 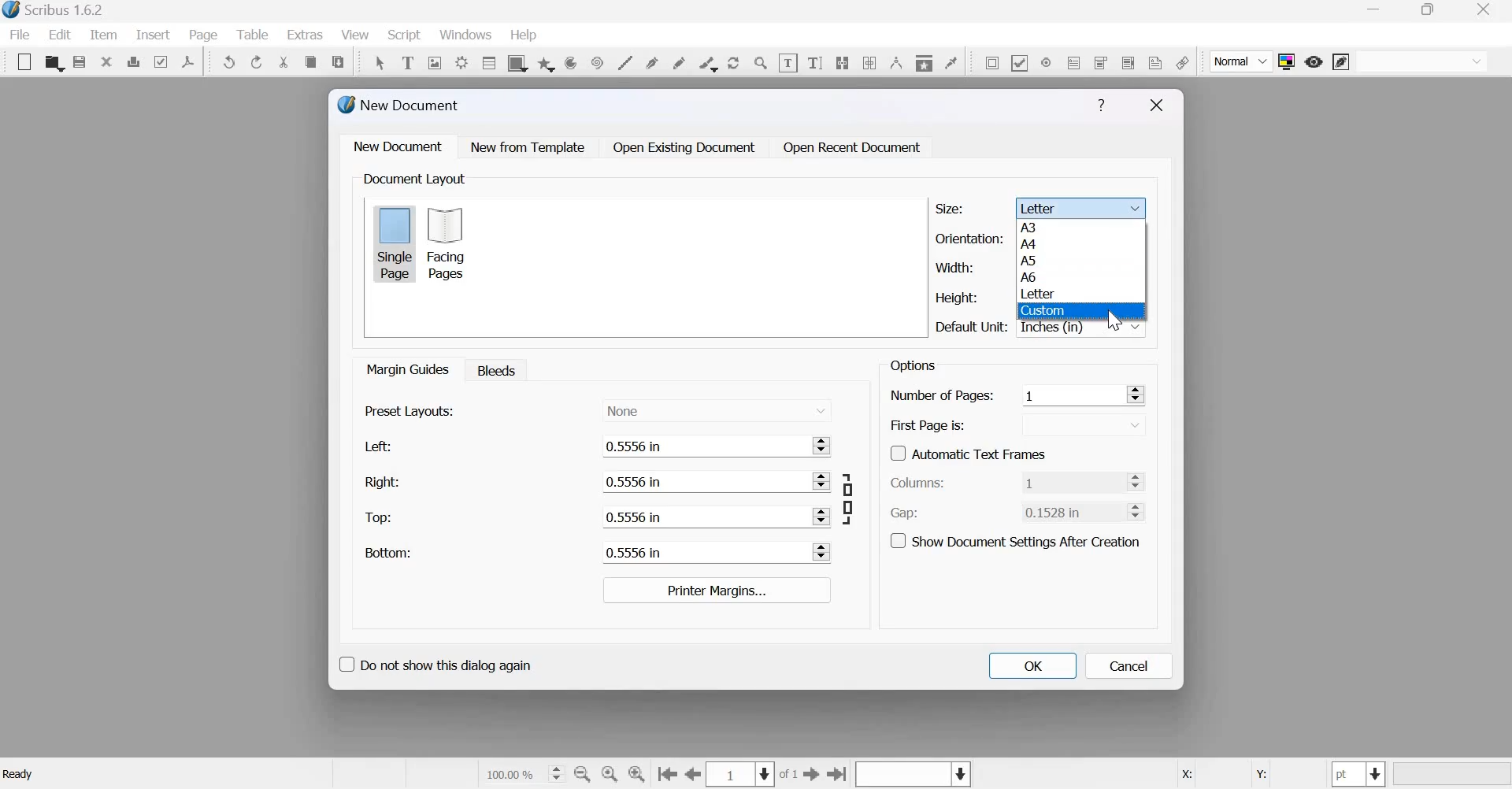 I want to click on Select the current layer, so click(x=911, y=775).